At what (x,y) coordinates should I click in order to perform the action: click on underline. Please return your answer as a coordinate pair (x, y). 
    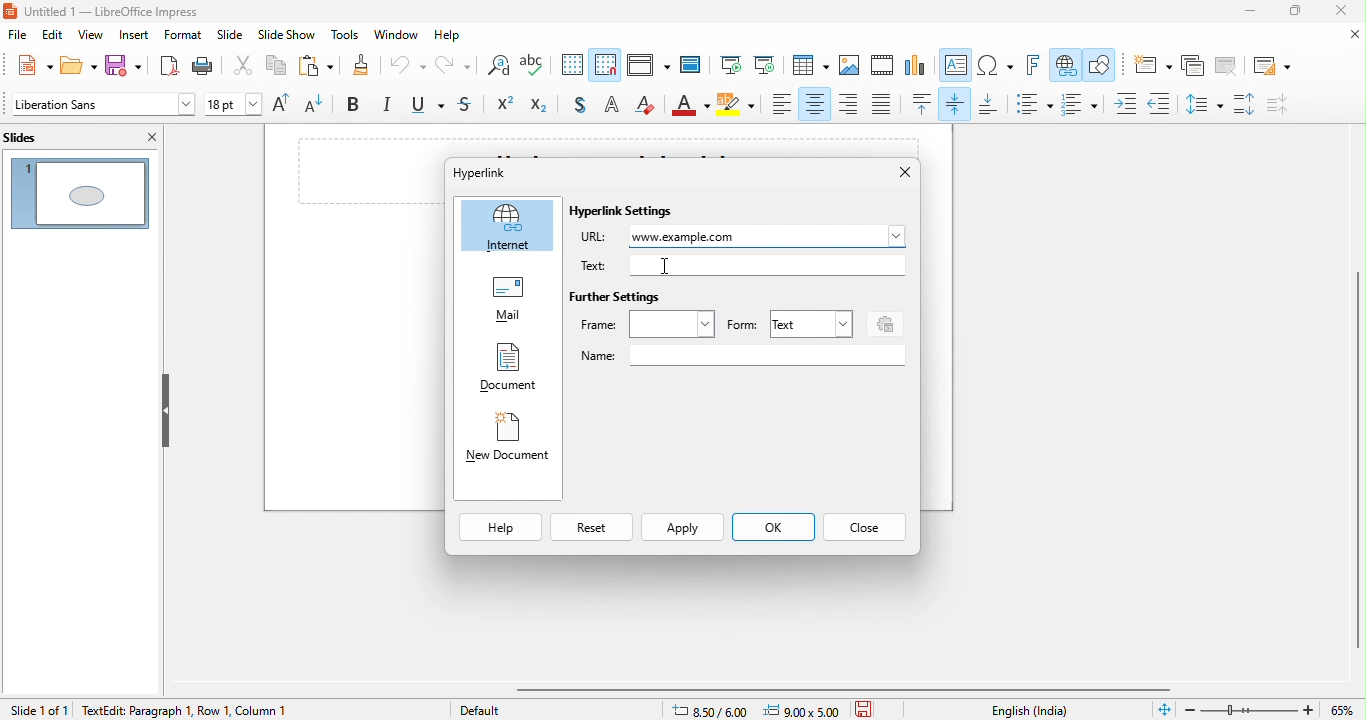
    Looking at the image, I should click on (430, 107).